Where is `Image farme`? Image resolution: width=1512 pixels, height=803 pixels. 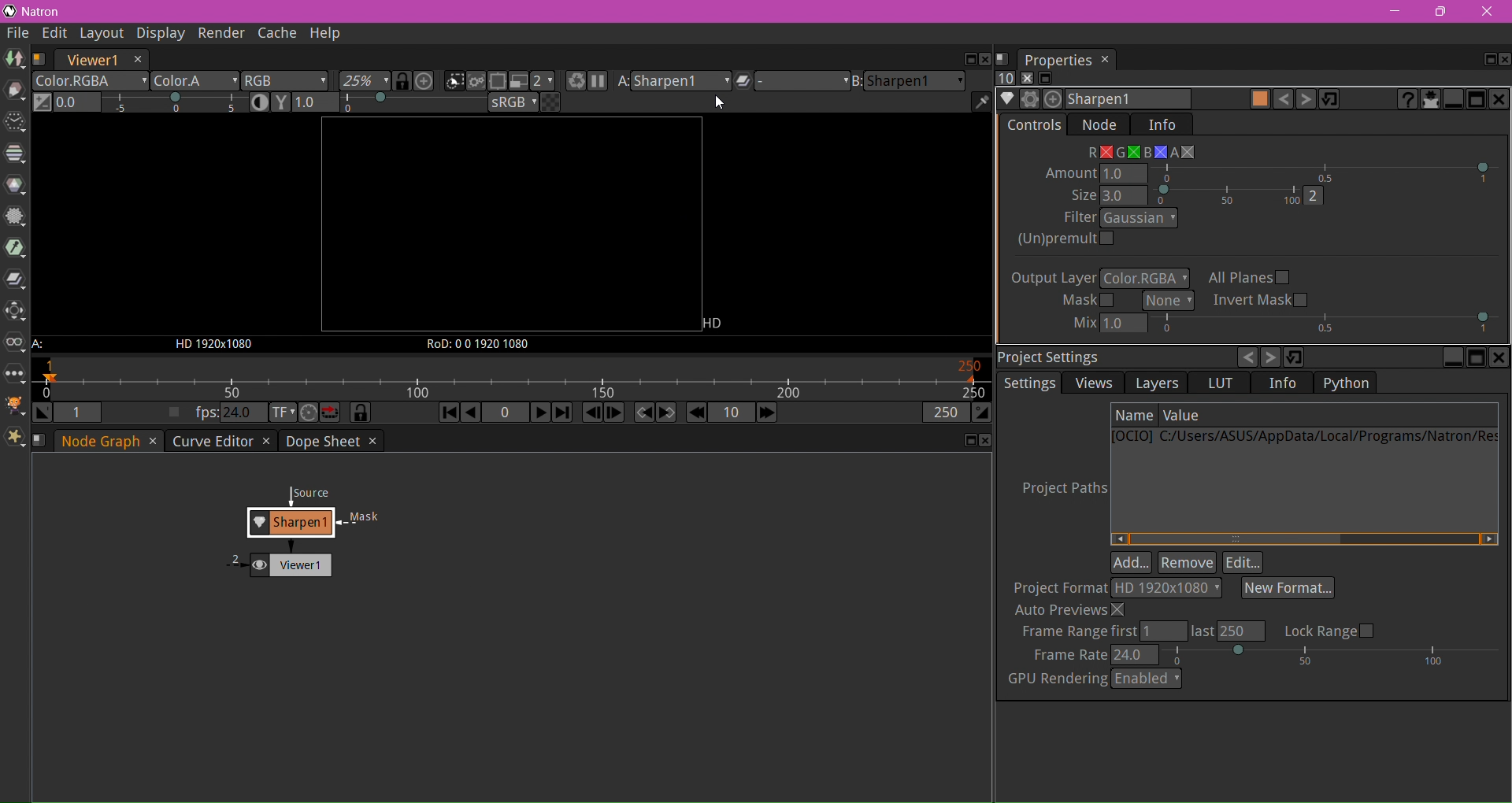 Image farme is located at coordinates (510, 225).